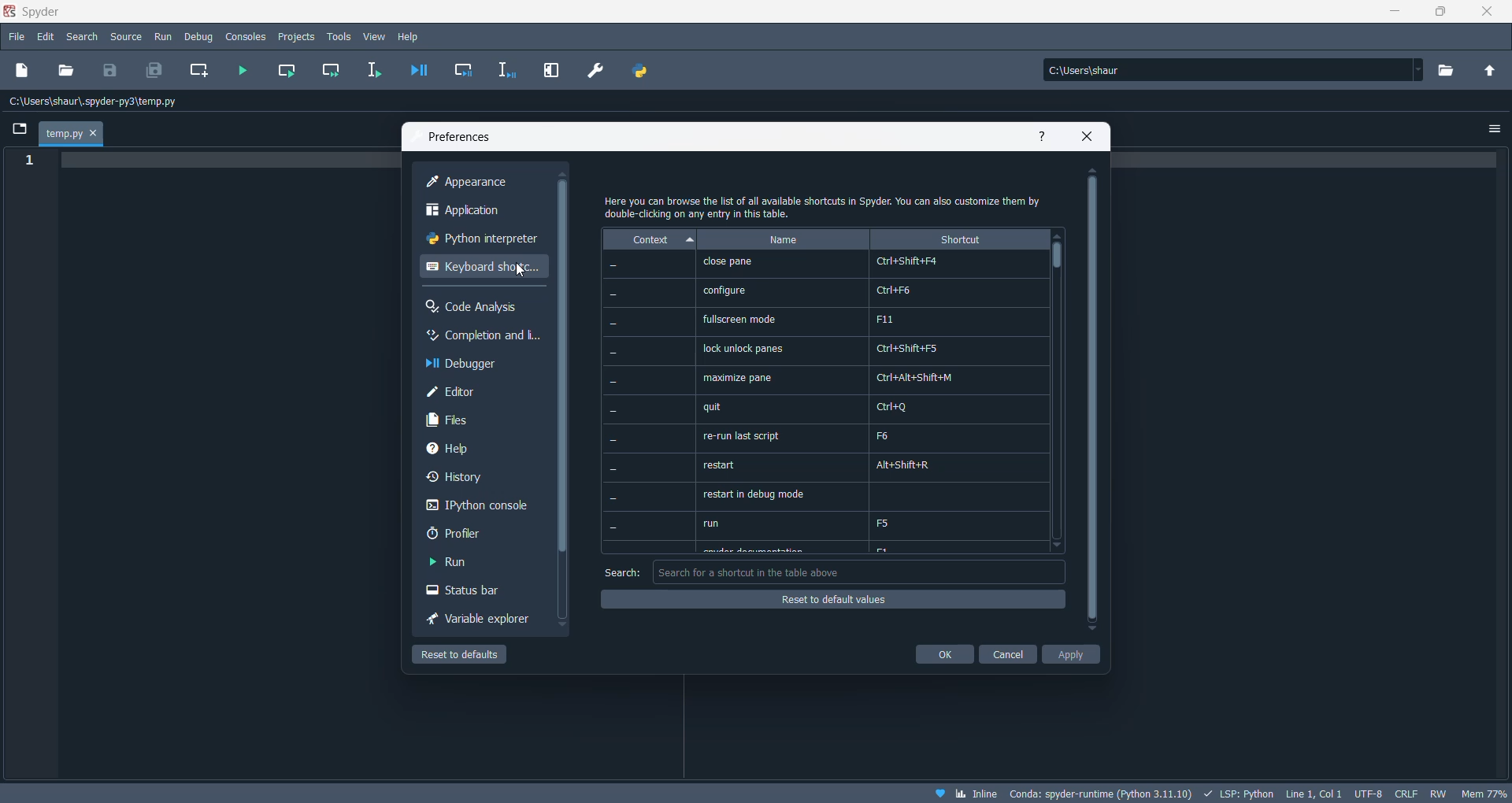  What do you see at coordinates (784, 404) in the screenshot?
I see `name values` at bounding box center [784, 404].